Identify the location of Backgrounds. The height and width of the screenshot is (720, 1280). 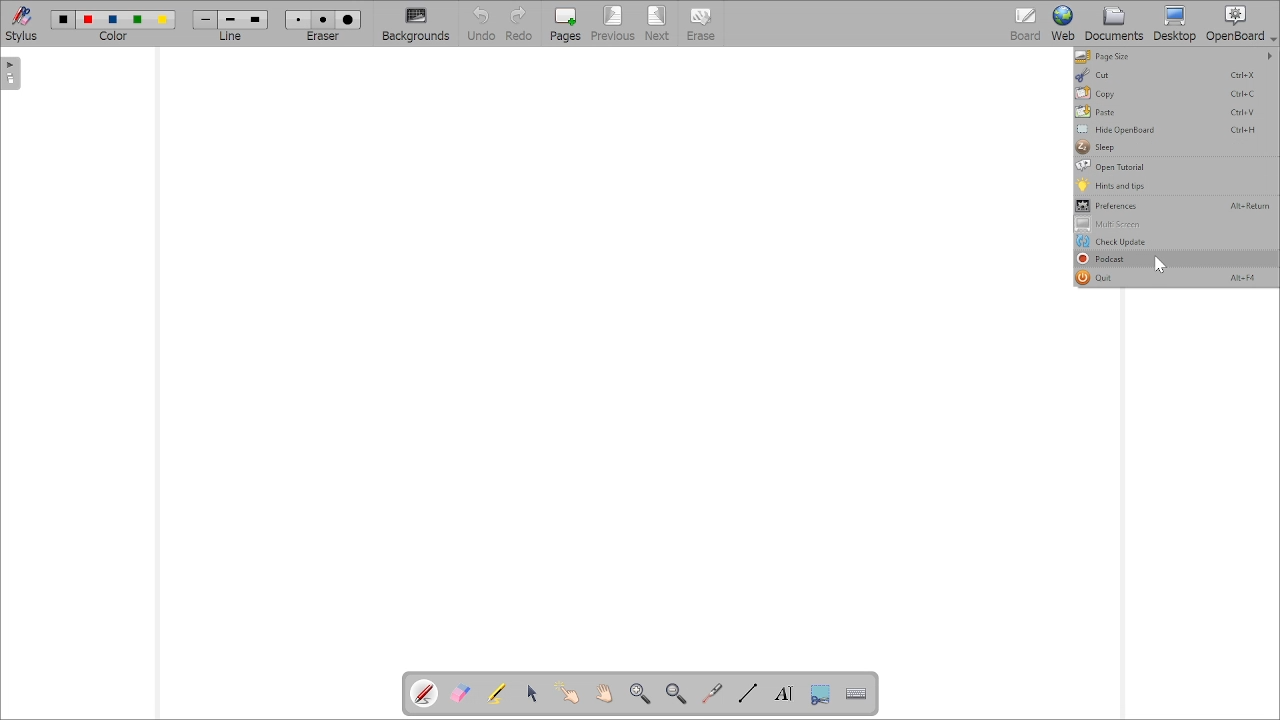
(415, 25).